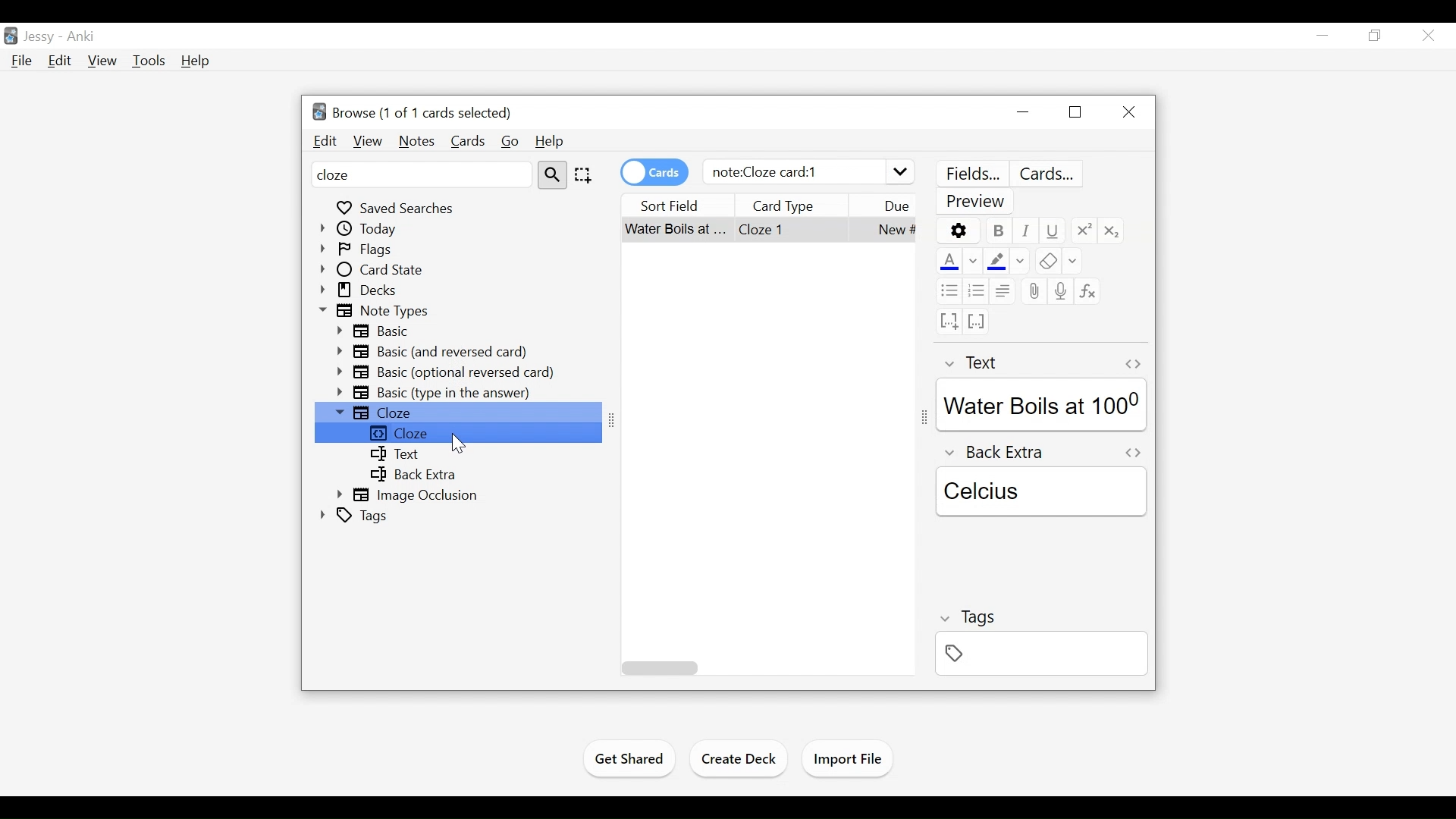 The height and width of the screenshot is (819, 1456). Describe the element at coordinates (979, 322) in the screenshot. I see `Cloze Deletion (same card)` at that location.